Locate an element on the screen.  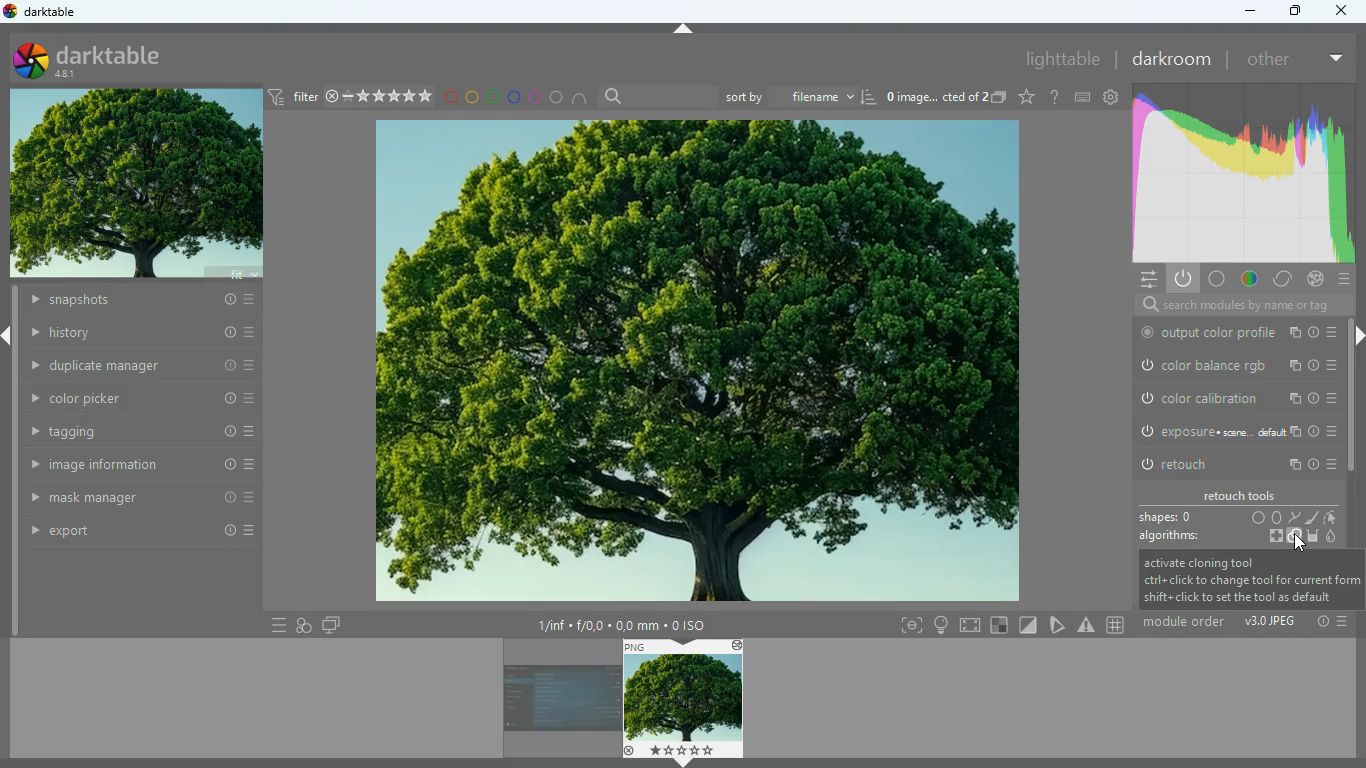
color picker is located at coordinates (143, 401).